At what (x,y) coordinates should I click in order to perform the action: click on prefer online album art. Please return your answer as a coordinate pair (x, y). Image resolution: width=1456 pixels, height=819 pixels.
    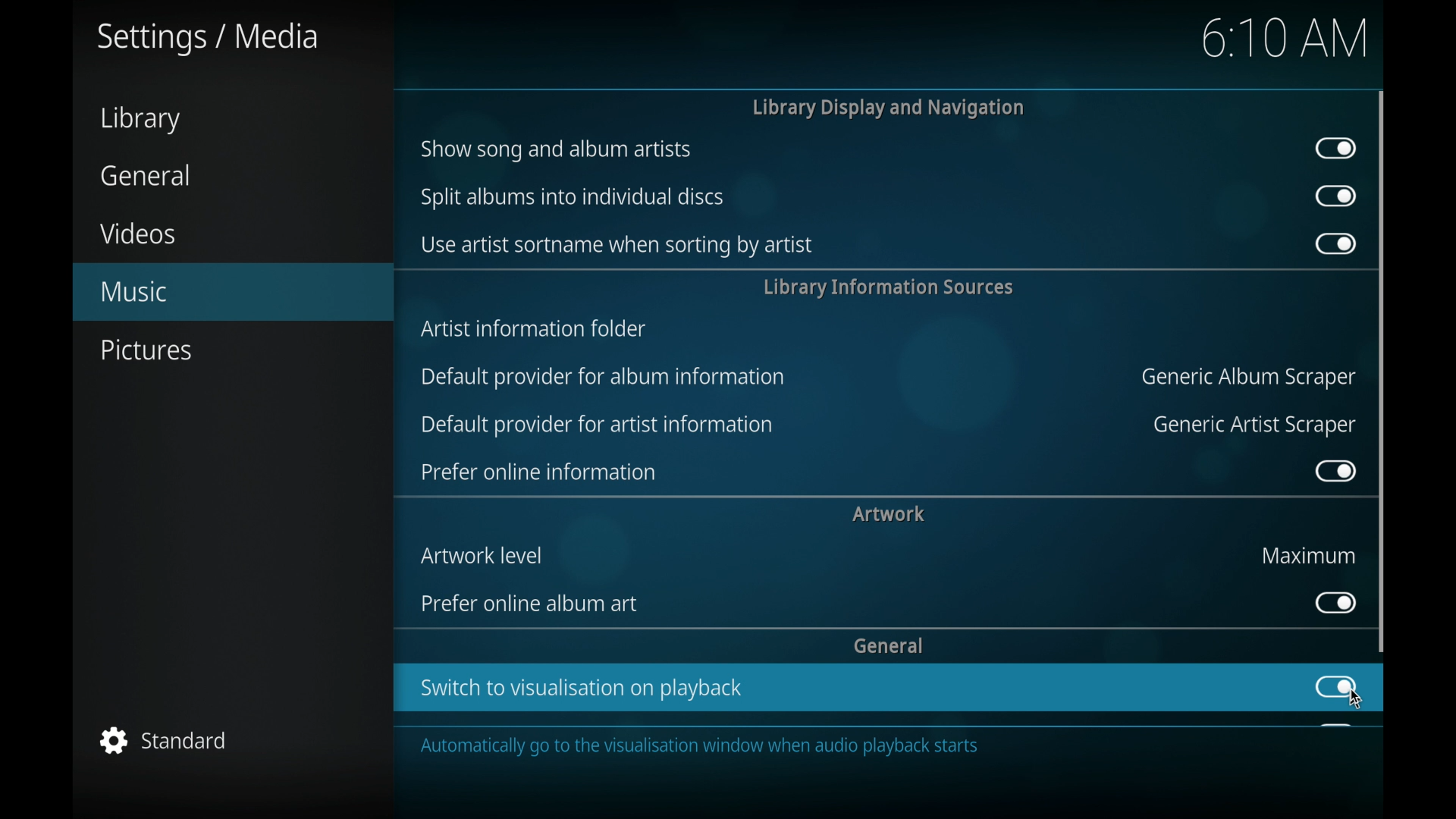
    Looking at the image, I should click on (533, 604).